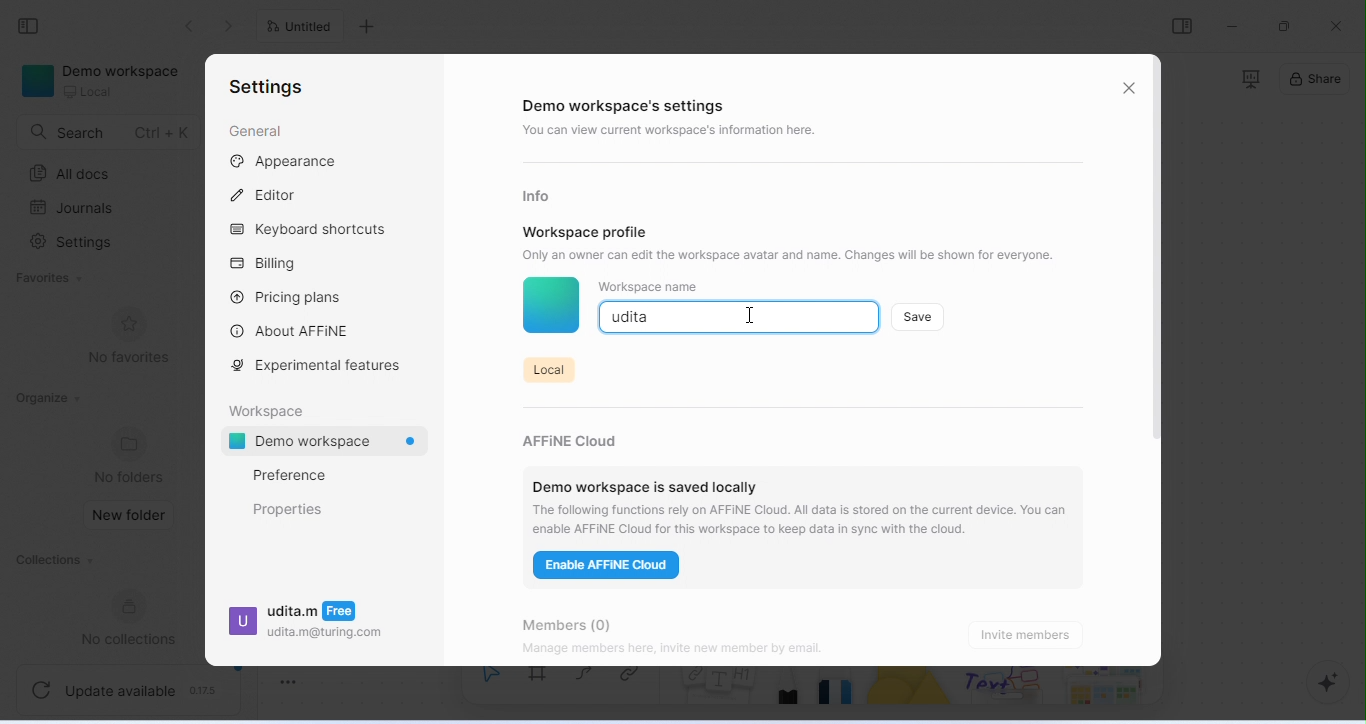  I want to click on curve, so click(589, 681).